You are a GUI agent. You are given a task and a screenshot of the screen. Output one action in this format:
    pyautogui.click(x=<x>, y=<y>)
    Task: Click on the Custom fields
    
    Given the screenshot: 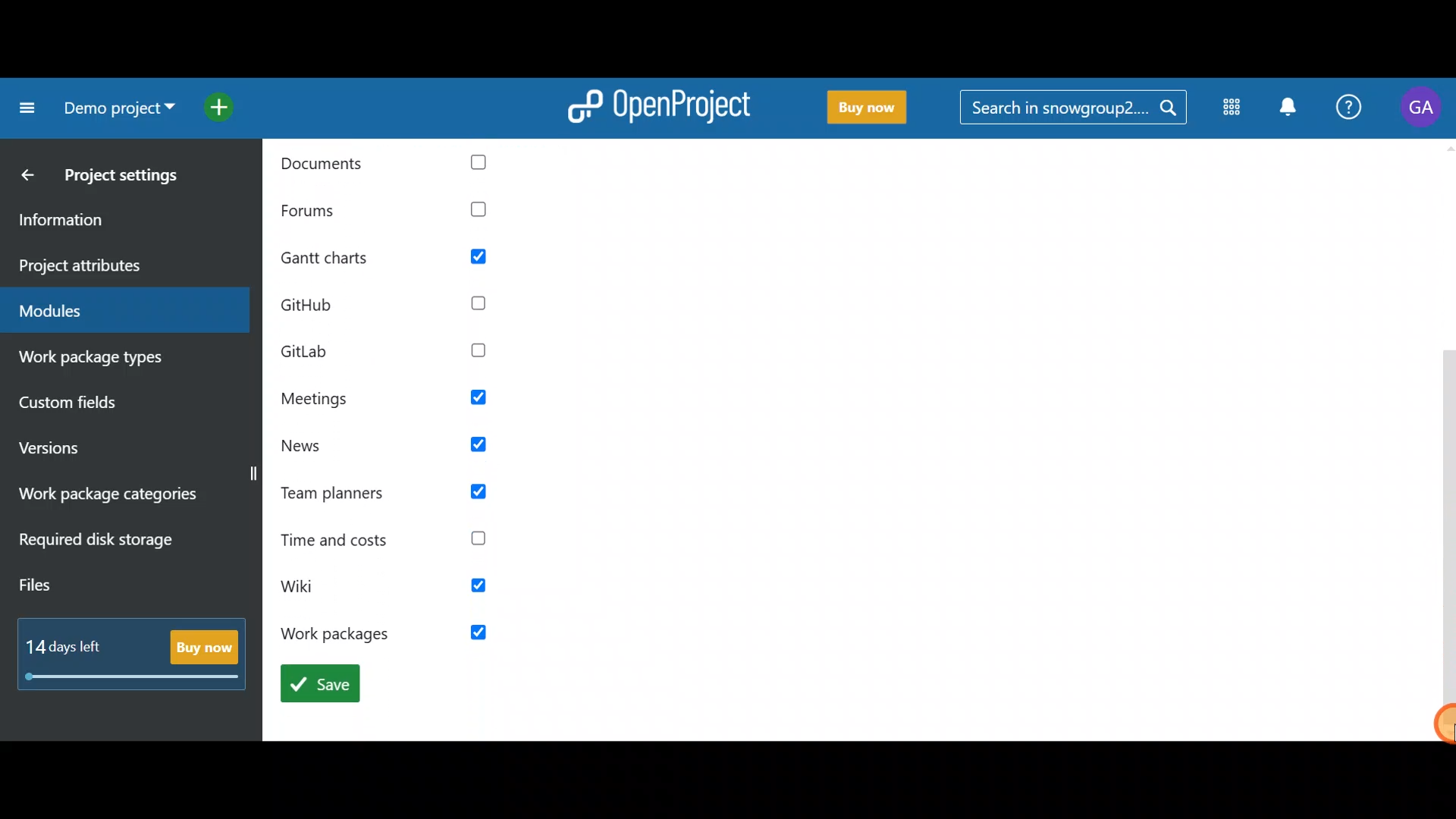 What is the action you would take?
    pyautogui.click(x=102, y=407)
    